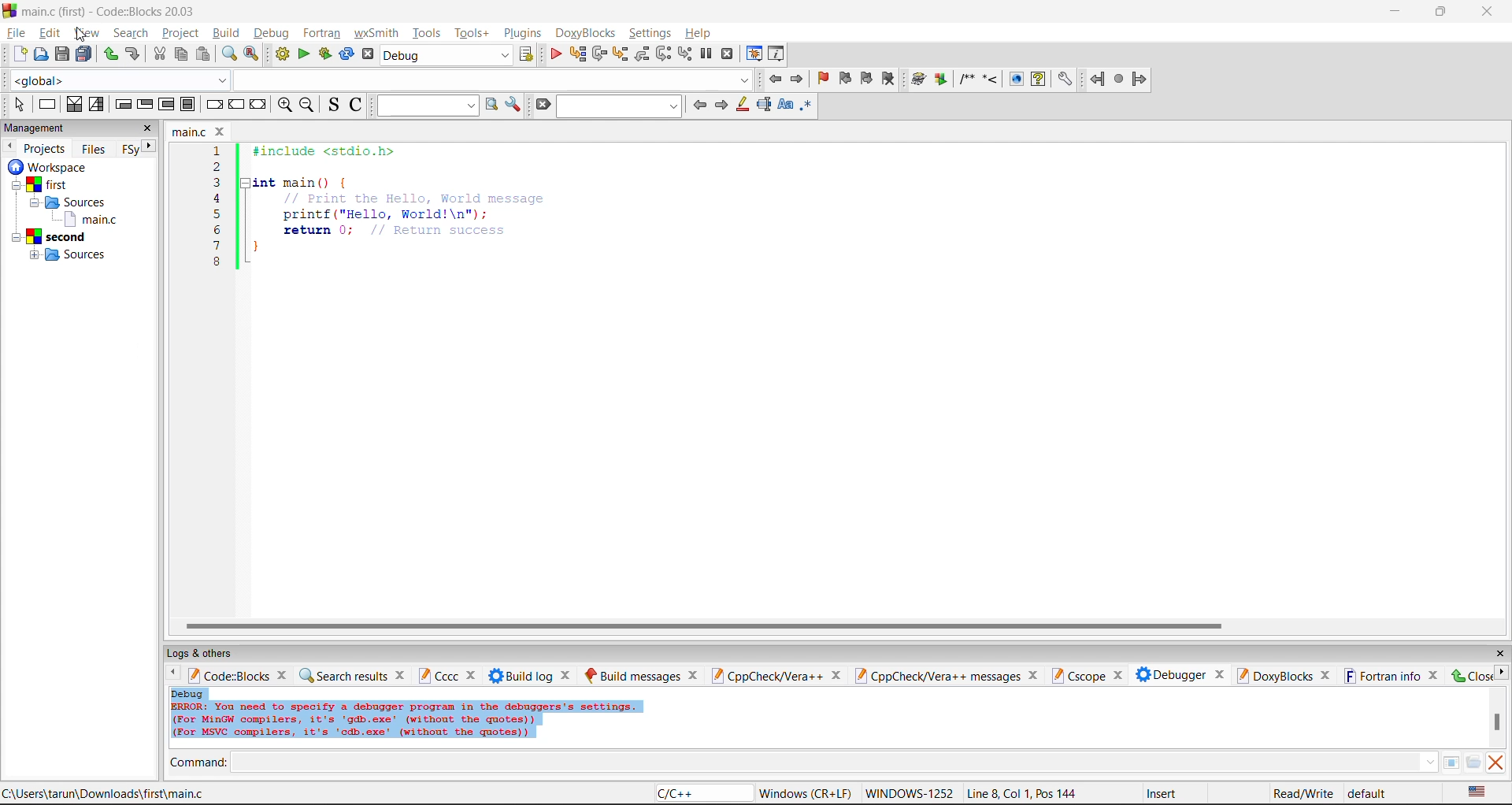 This screenshot has height=805, width=1512. Describe the element at coordinates (19, 54) in the screenshot. I see `new` at that location.